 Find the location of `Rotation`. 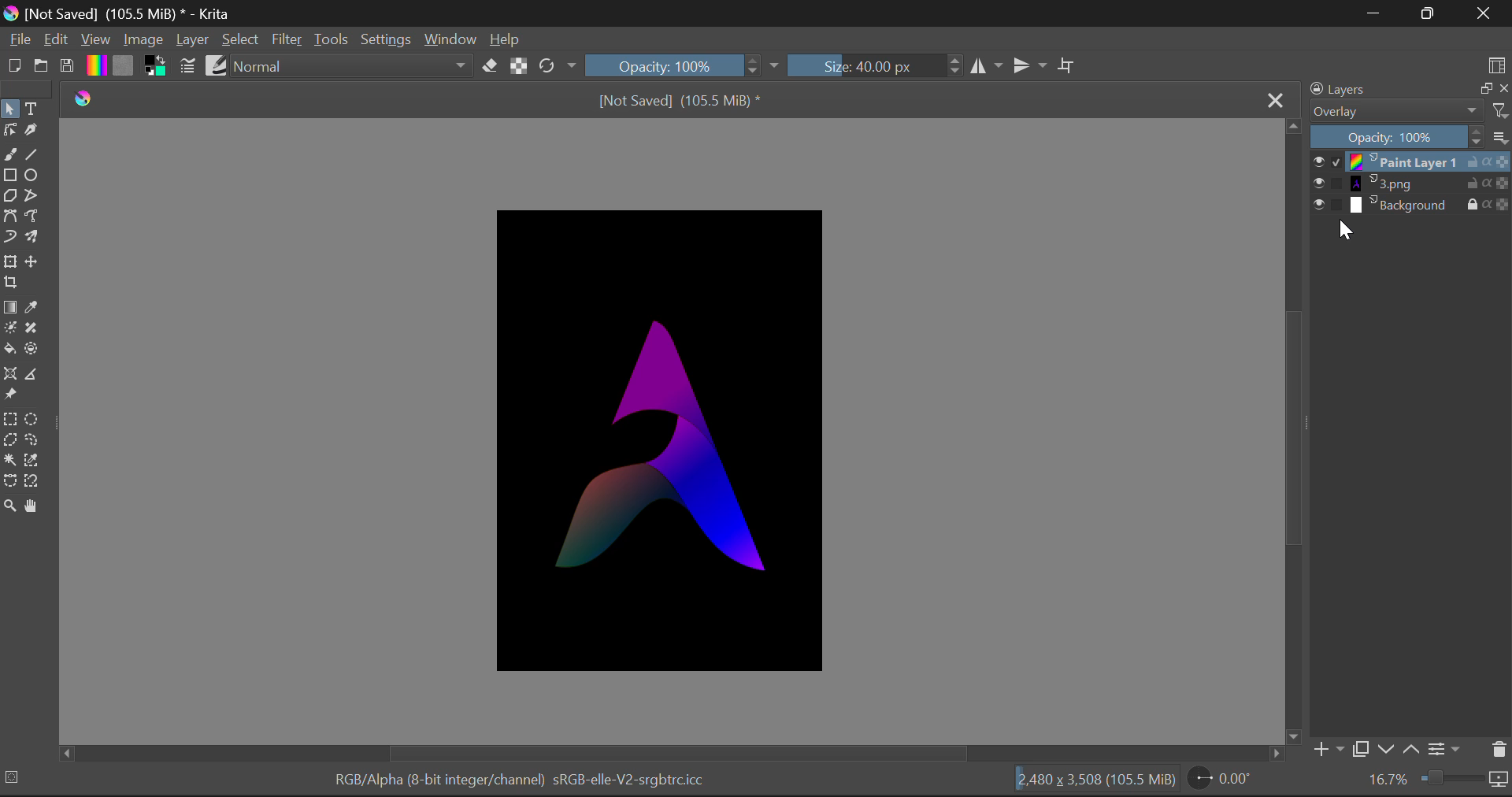

Rotation is located at coordinates (558, 65).